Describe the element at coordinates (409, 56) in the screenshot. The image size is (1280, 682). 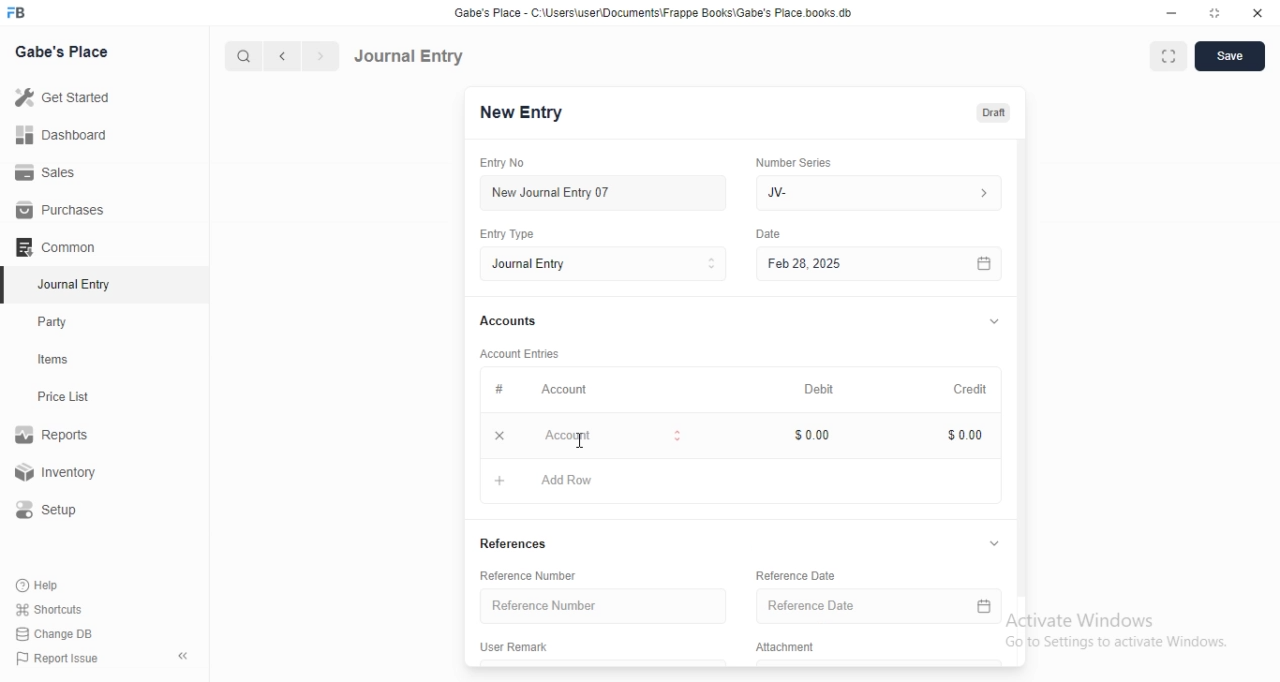
I see `Journal Entry` at that location.